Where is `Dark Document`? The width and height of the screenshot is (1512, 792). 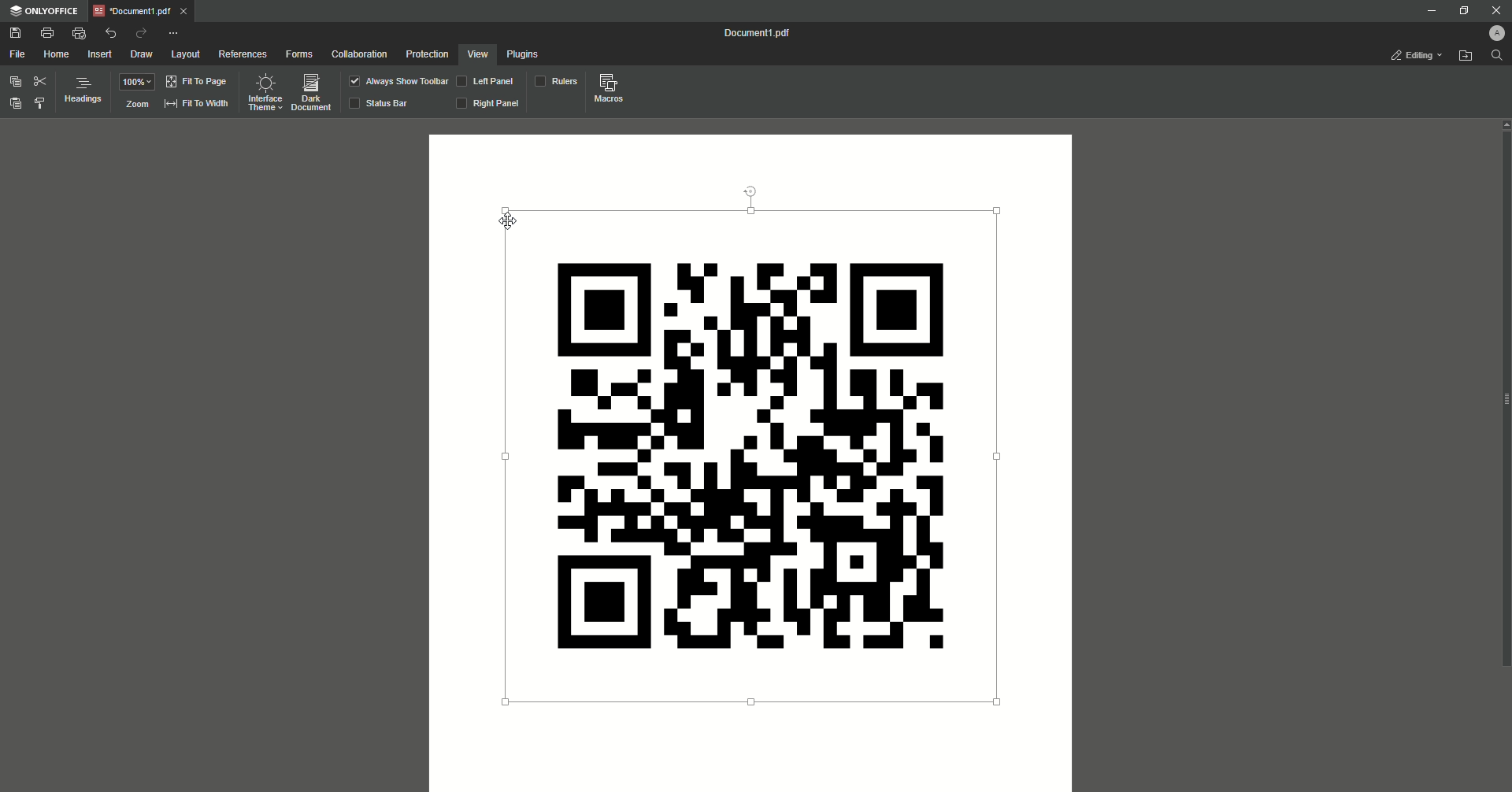 Dark Document is located at coordinates (310, 91).